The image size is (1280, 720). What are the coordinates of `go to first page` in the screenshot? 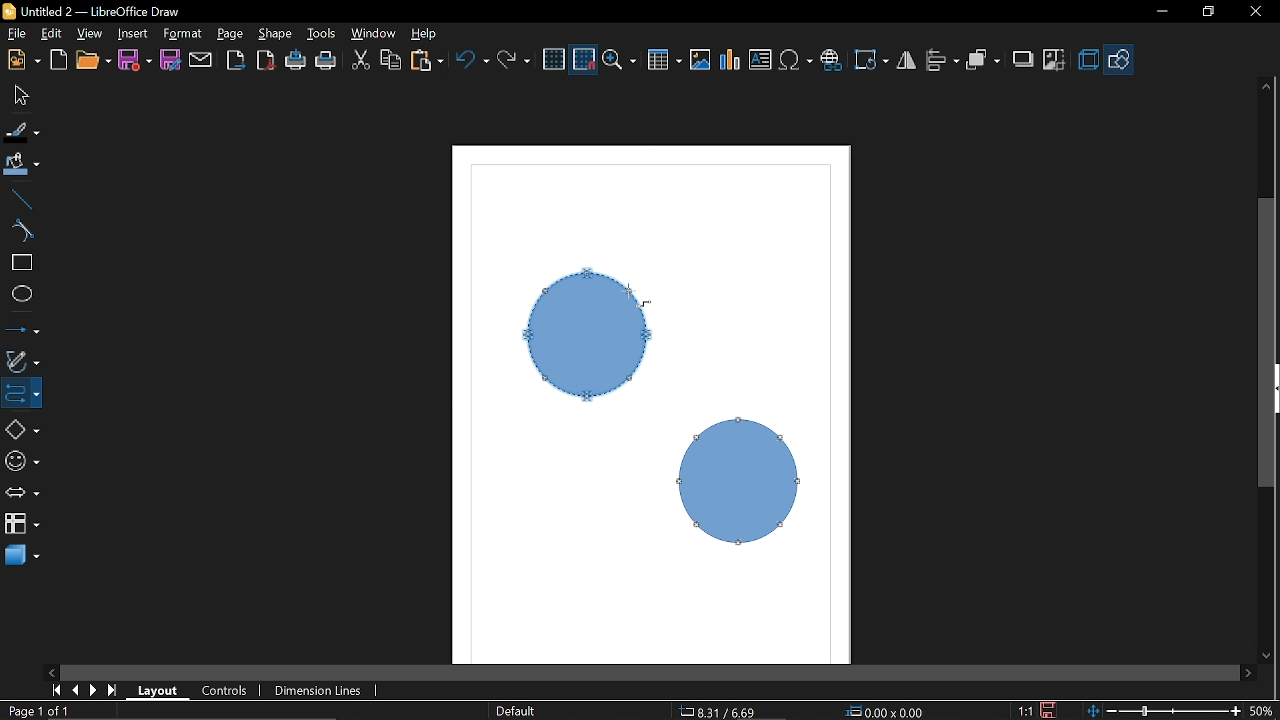 It's located at (54, 691).